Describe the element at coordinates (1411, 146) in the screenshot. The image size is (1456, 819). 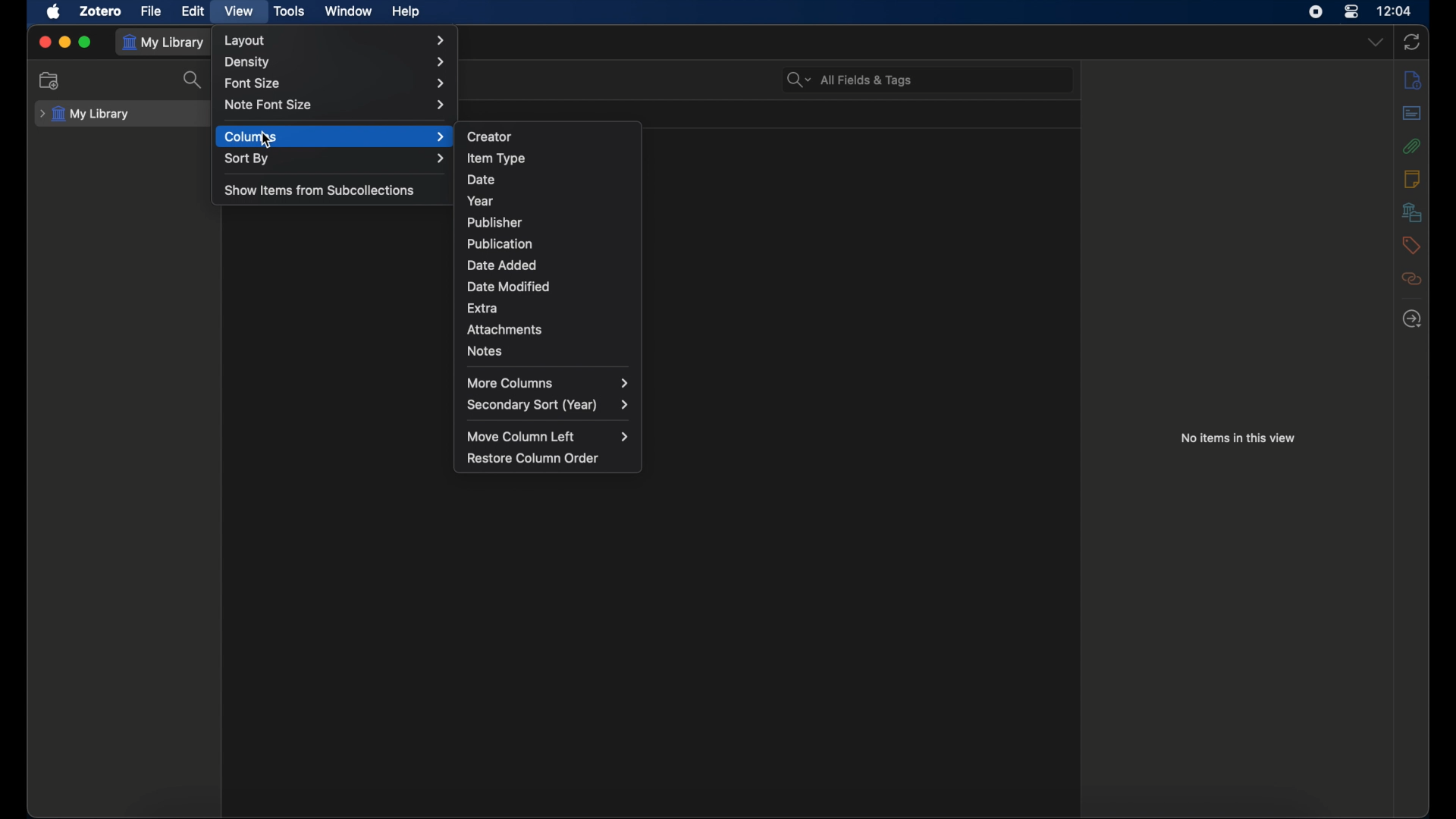
I see `attachments` at that location.